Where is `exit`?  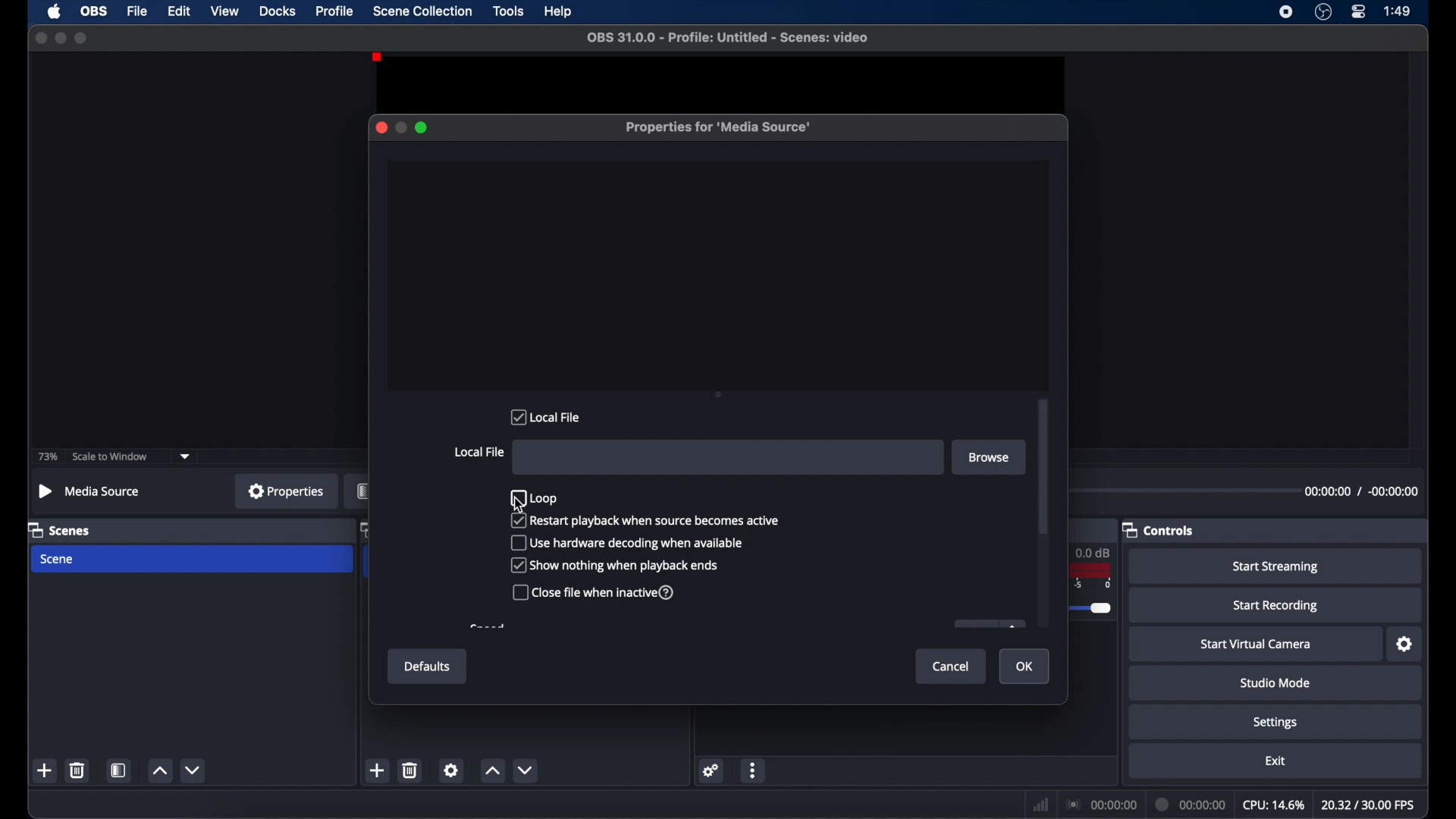
exit is located at coordinates (1276, 761).